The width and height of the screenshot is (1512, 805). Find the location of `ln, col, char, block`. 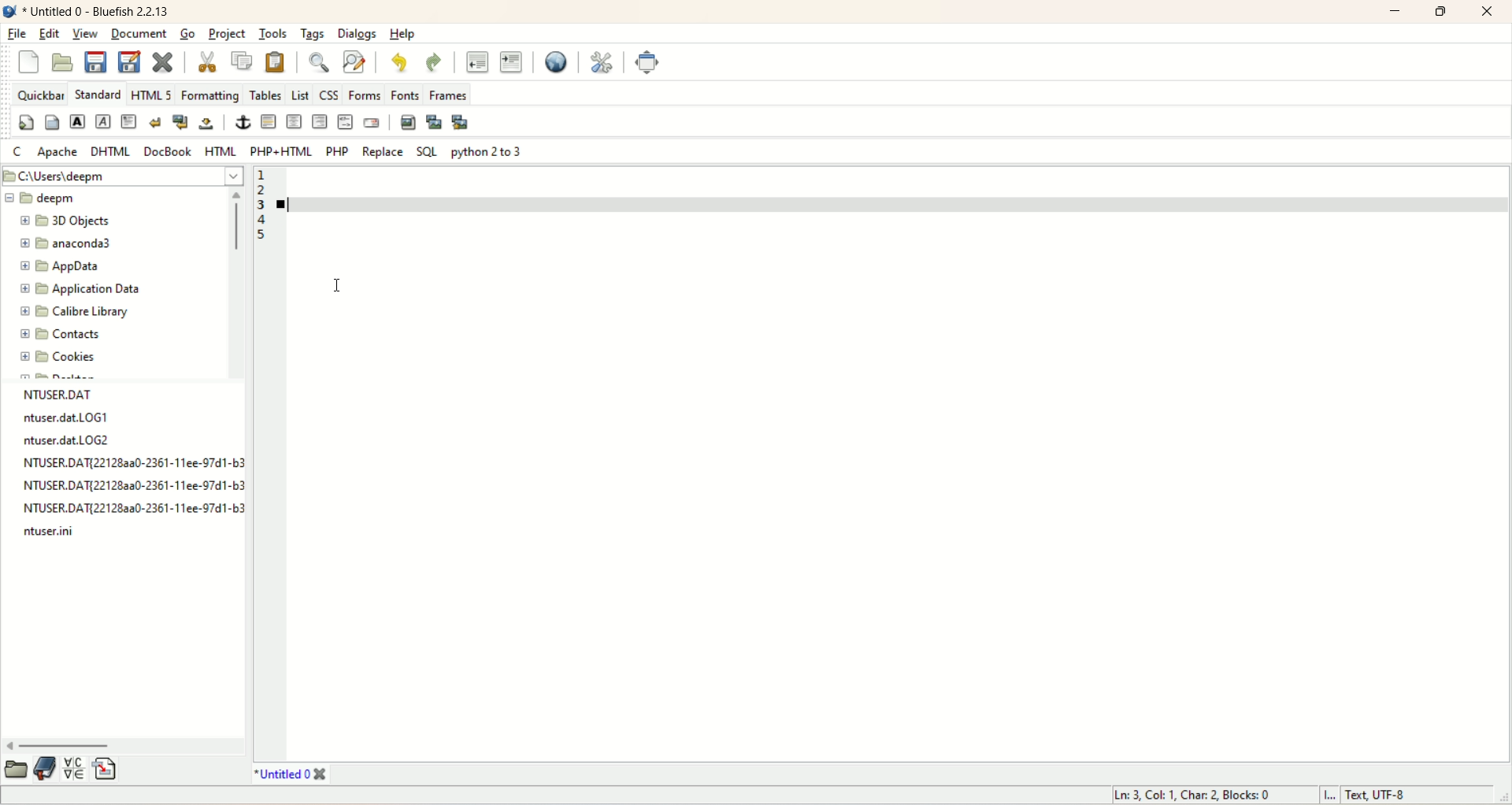

ln, col, char, block is located at coordinates (1192, 797).